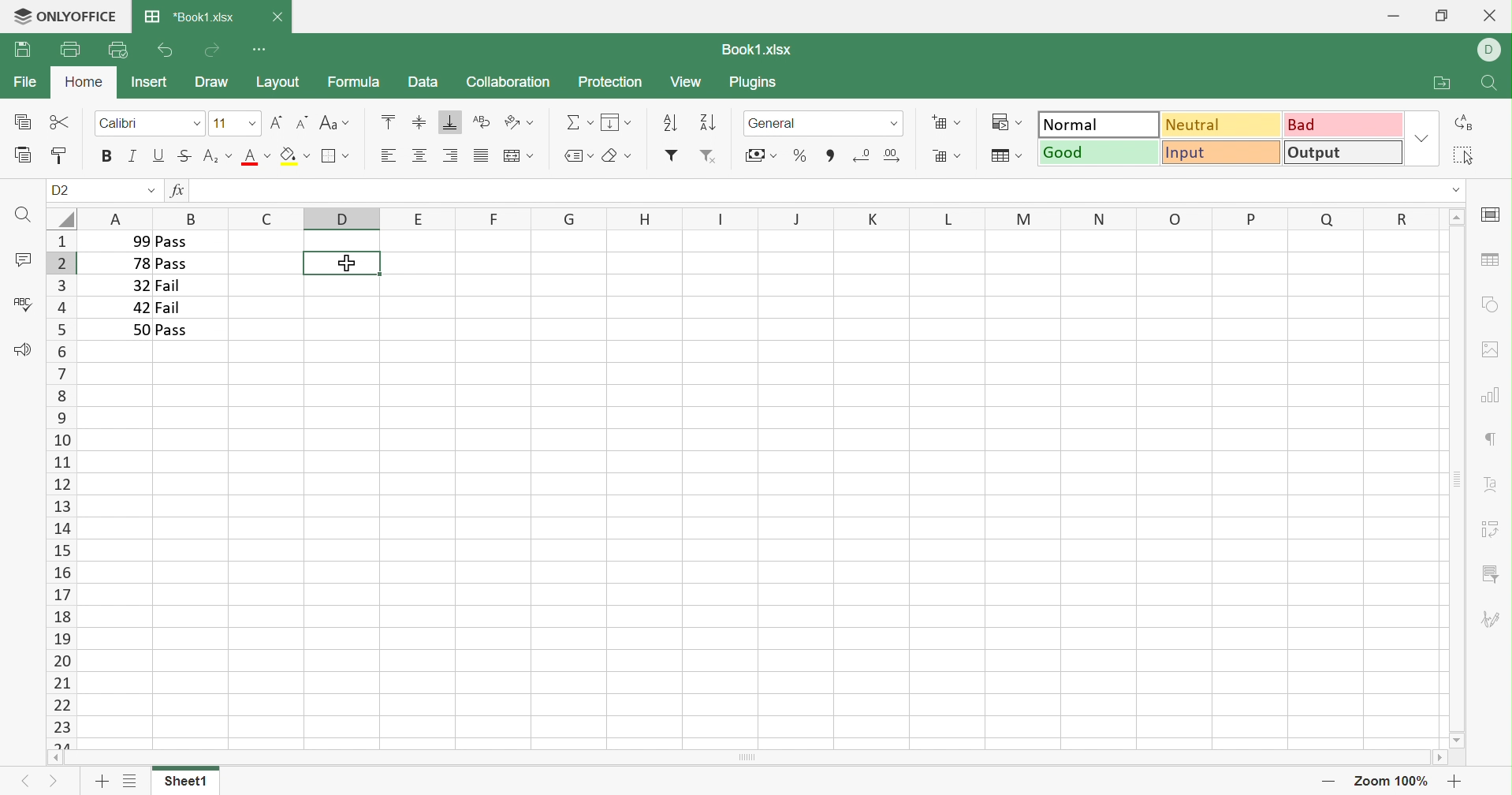 The width and height of the screenshot is (1512, 795). I want to click on Scroll bar, so click(1456, 479).